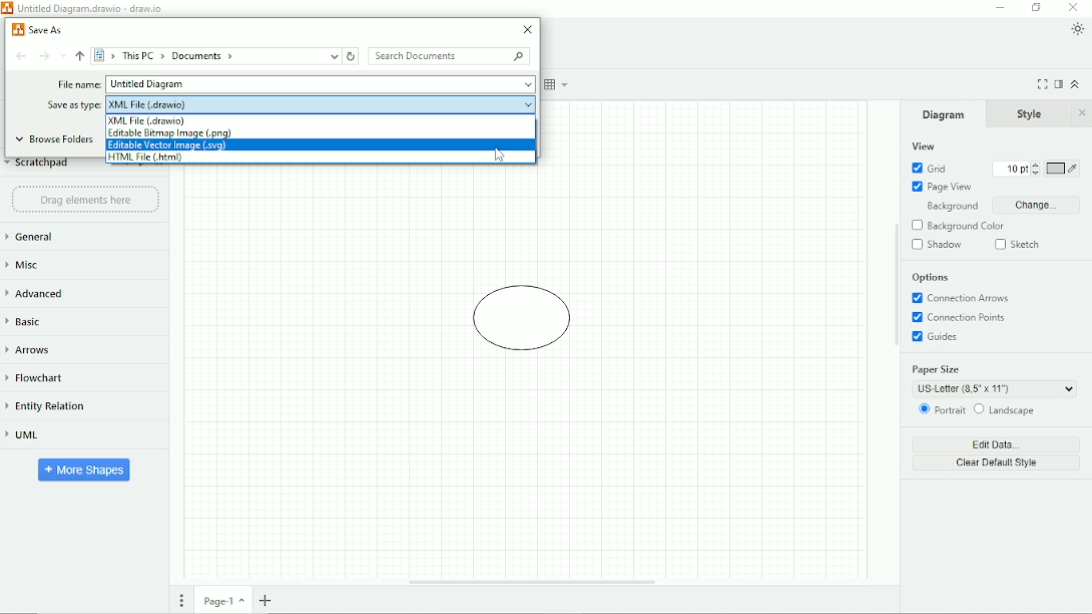 The height and width of the screenshot is (614, 1092). What do you see at coordinates (523, 320) in the screenshot?
I see `Diagram of circle` at bounding box center [523, 320].